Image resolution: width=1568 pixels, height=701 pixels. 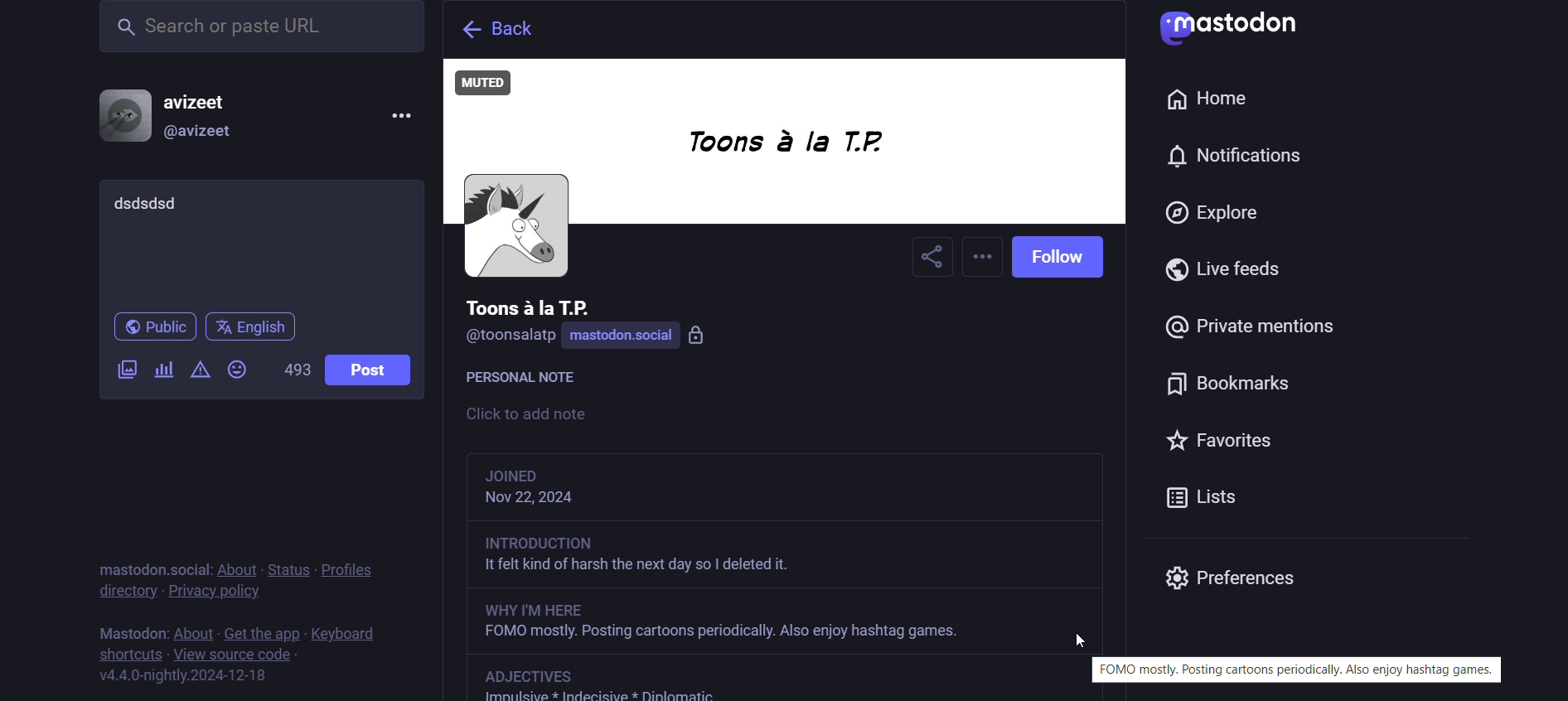 I want to click on lists, so click(x=1212, y=496).